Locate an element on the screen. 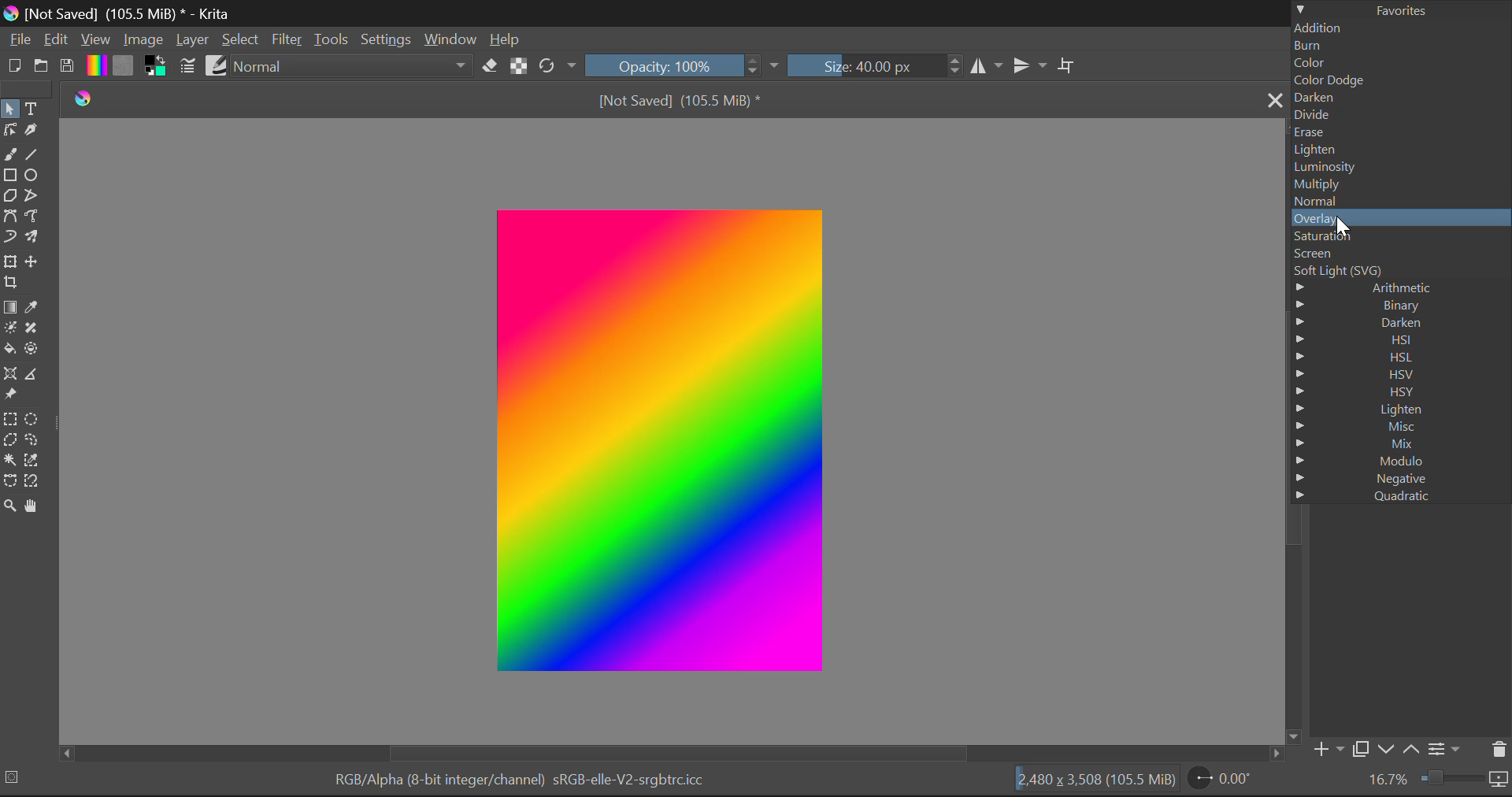  Reference Images is located at coordinates (10, 396).